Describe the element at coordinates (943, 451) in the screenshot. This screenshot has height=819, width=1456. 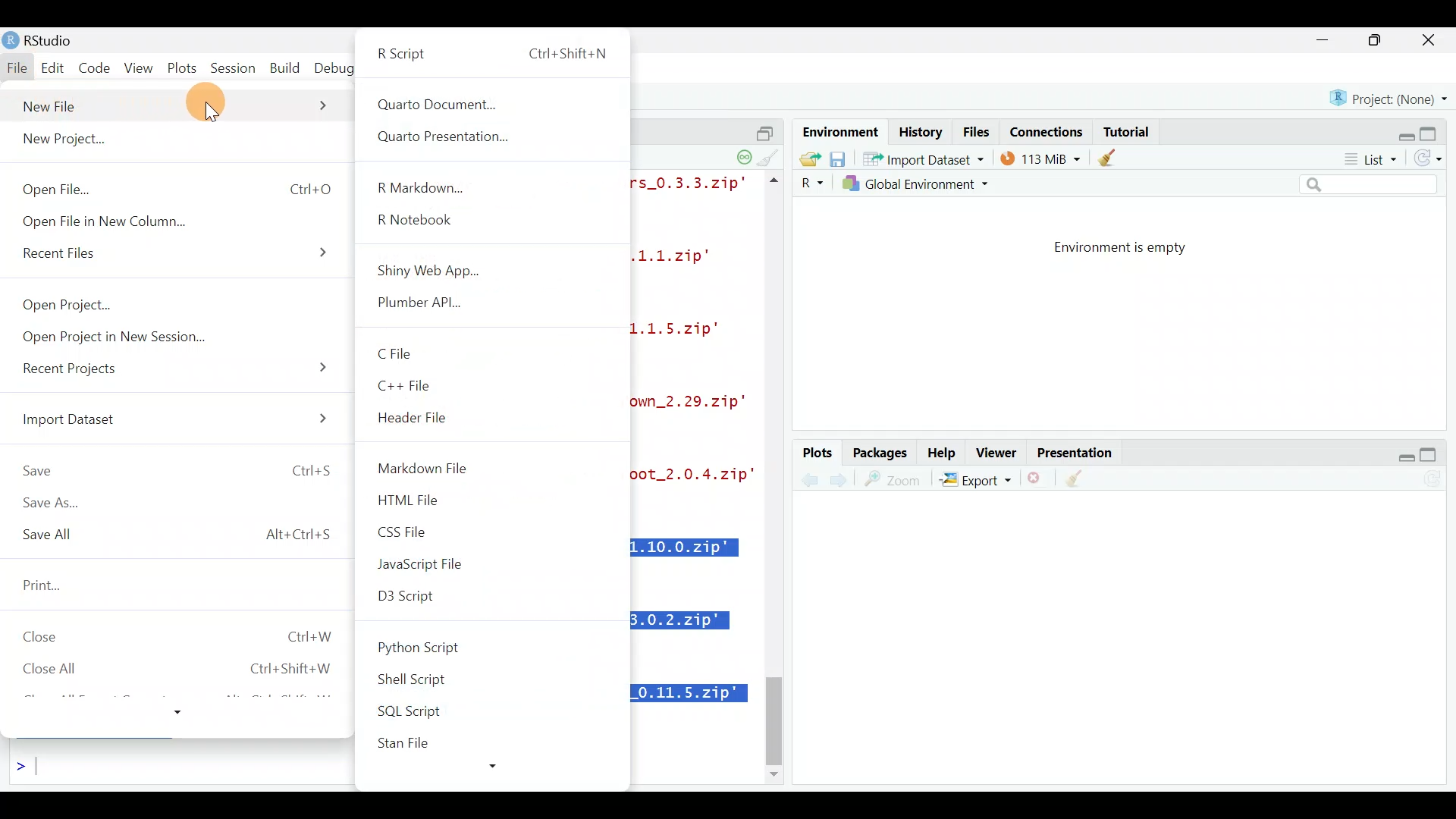
I see `Help` at that location.